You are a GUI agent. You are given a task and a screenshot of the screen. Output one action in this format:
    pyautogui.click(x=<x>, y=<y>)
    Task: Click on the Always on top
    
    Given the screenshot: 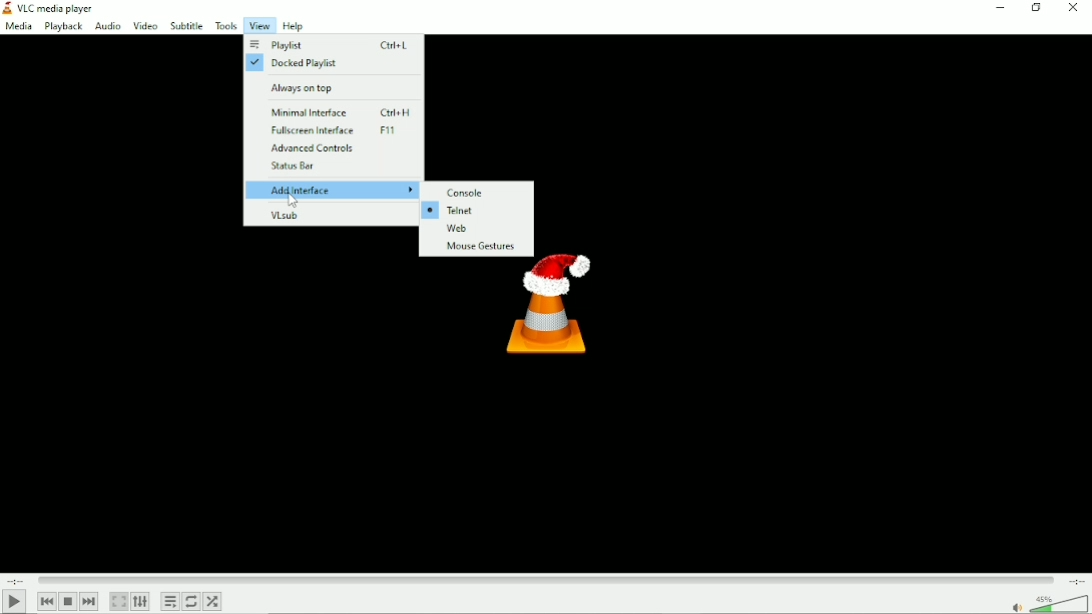 What is the action you would take?
    pyautogui.click(x=304, y=88)
    